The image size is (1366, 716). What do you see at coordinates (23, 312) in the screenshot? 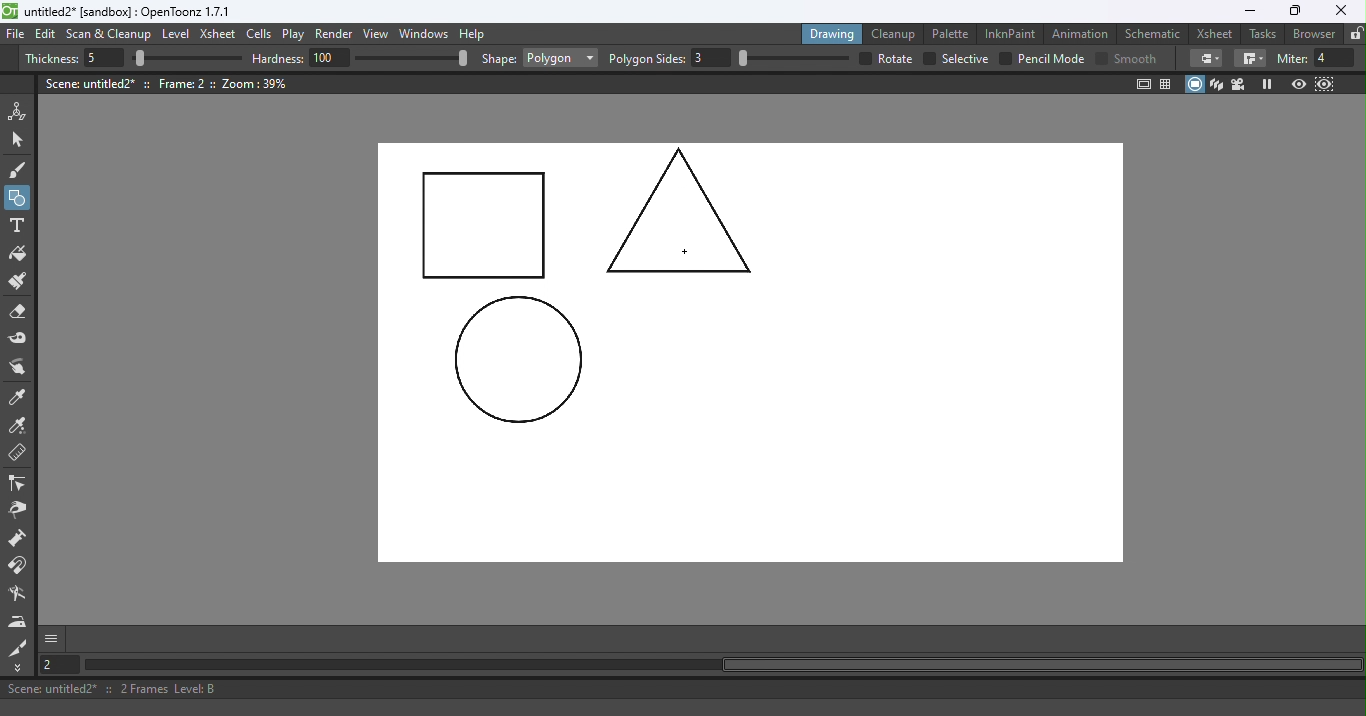
I see `Eraser tool` at bounding box center [23, 312].